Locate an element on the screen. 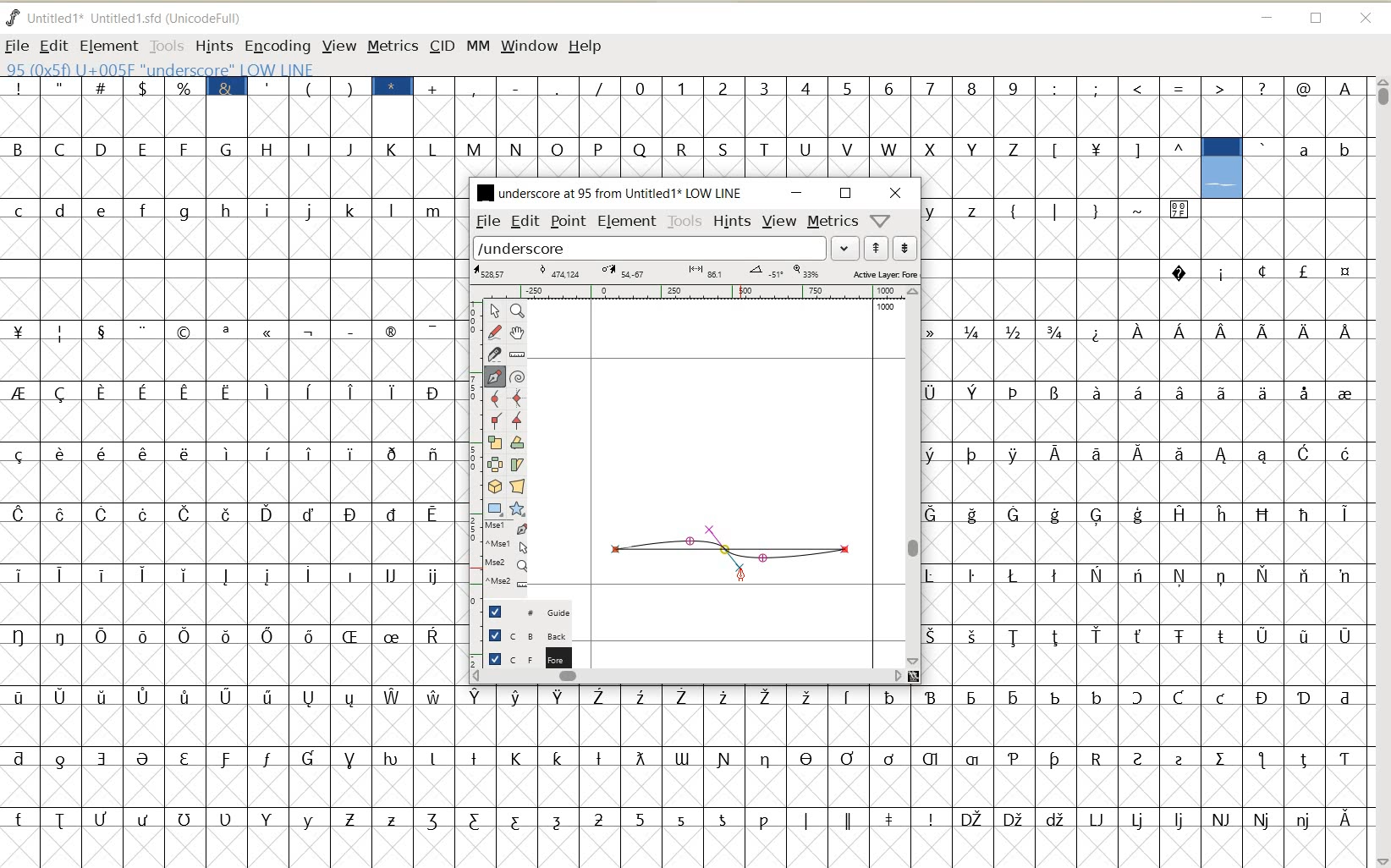  GLYPHY CHARACTERS & NUMBERS is located at coordinates (913, 100).